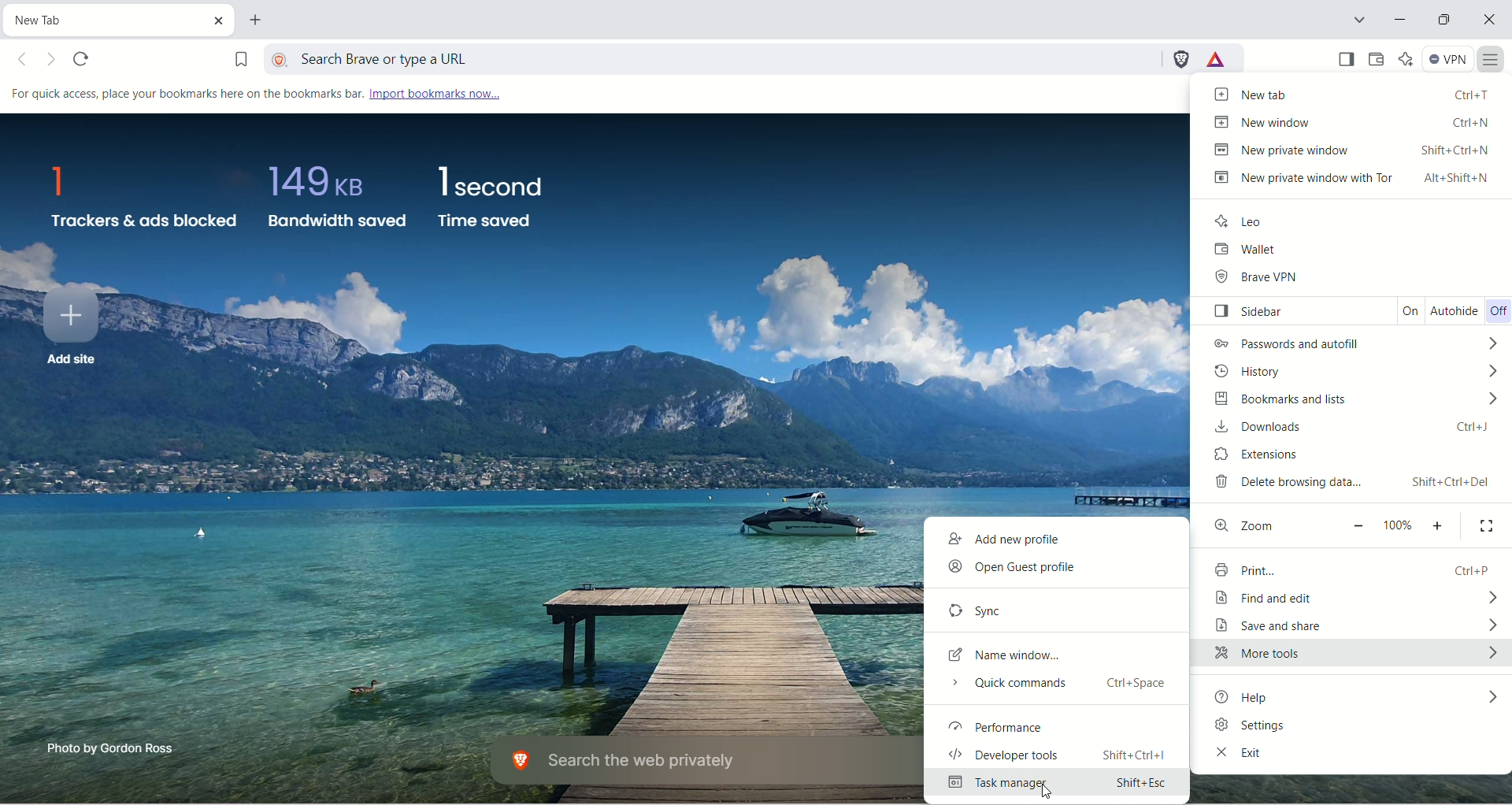 This screenshot has width=1512, height=805. Describe the element at coordinates (27, 60) in the screenshot. I see `go backward` at that location.